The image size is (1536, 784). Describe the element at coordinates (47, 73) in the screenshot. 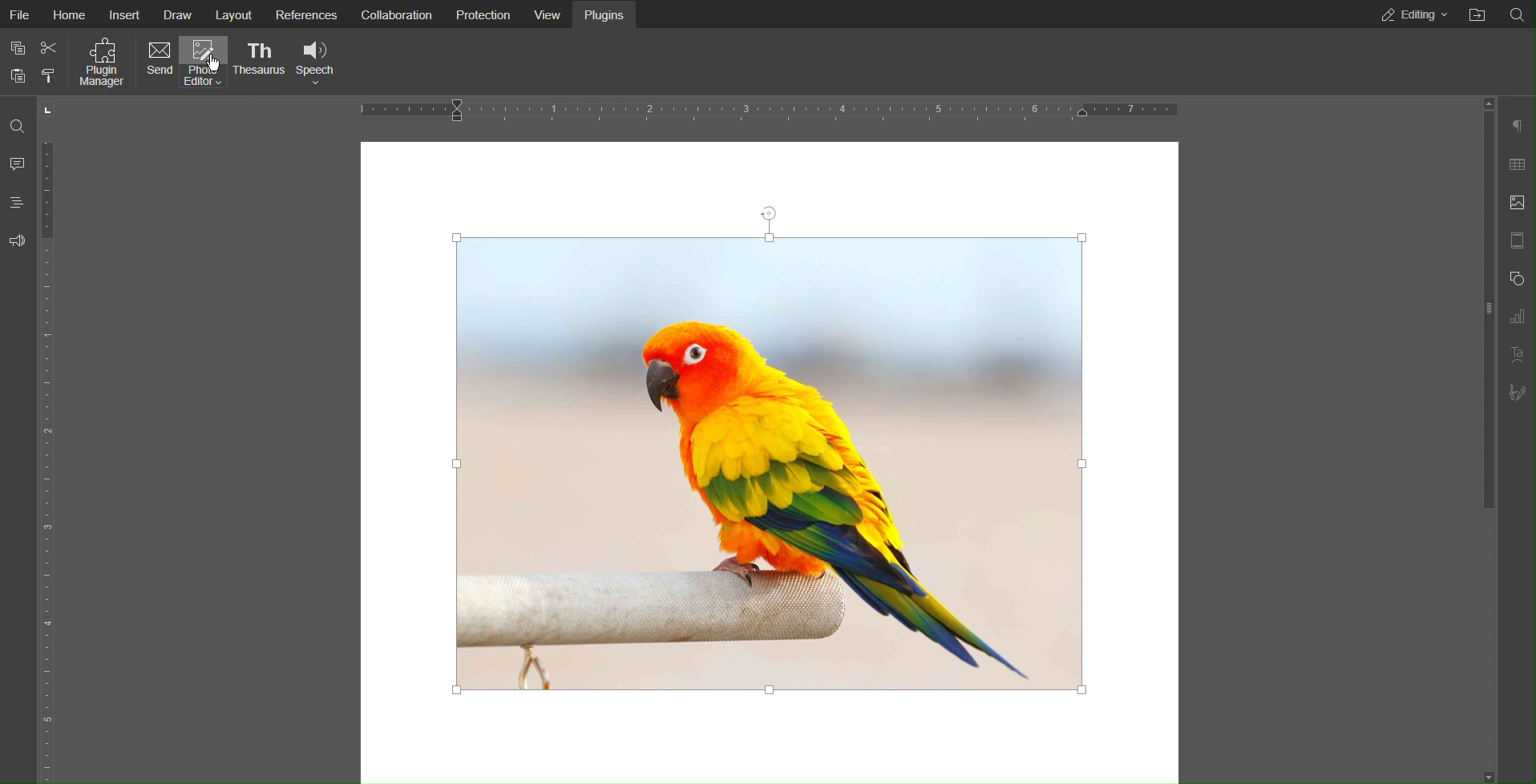

I see `Copy style` at that location.